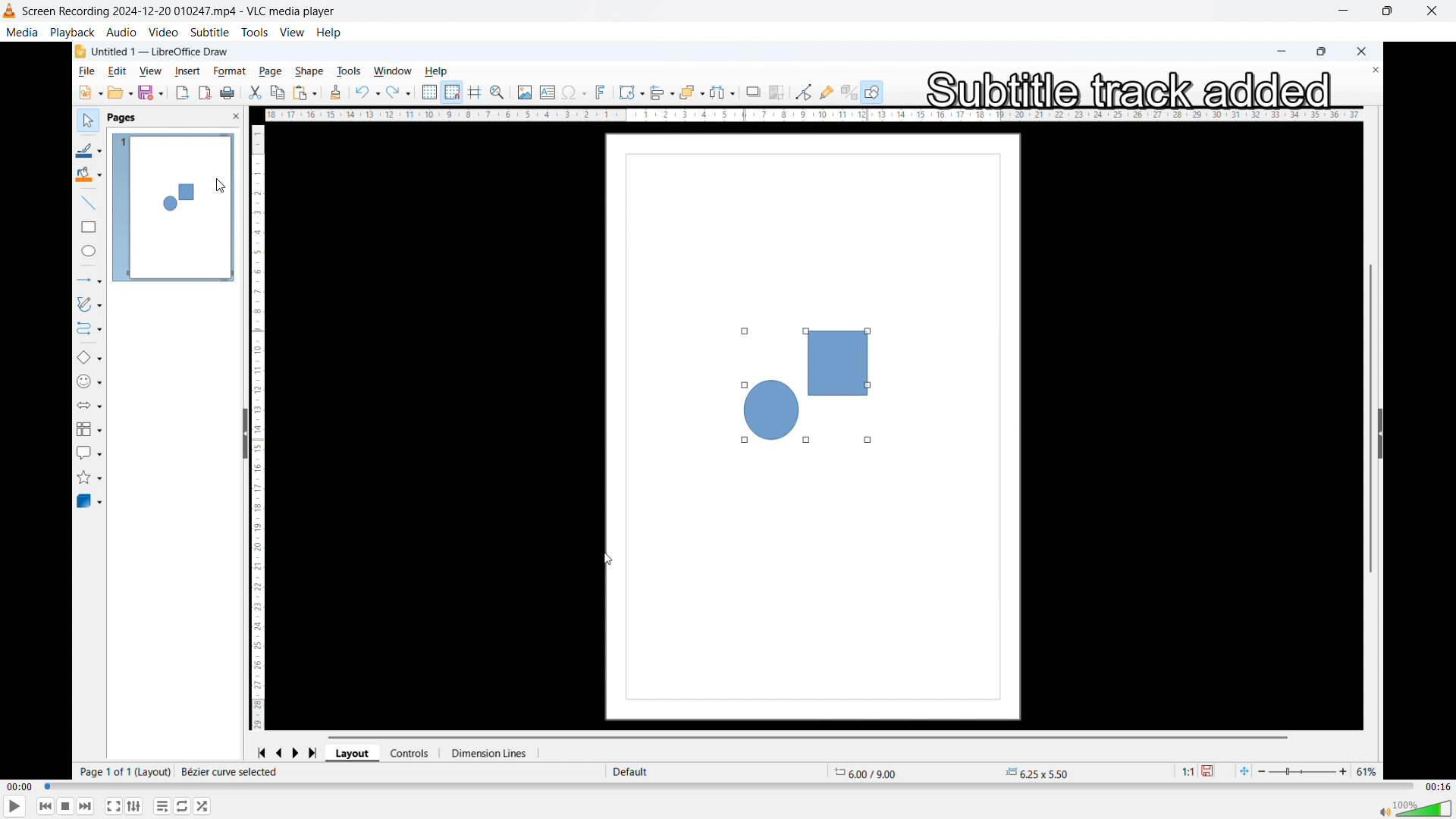 The height and width of the screenshot is (819, 1456). What do you see at coordinates (92, 476) in the screenshot?
I see `star and banner` at bounding box center [92, 476].